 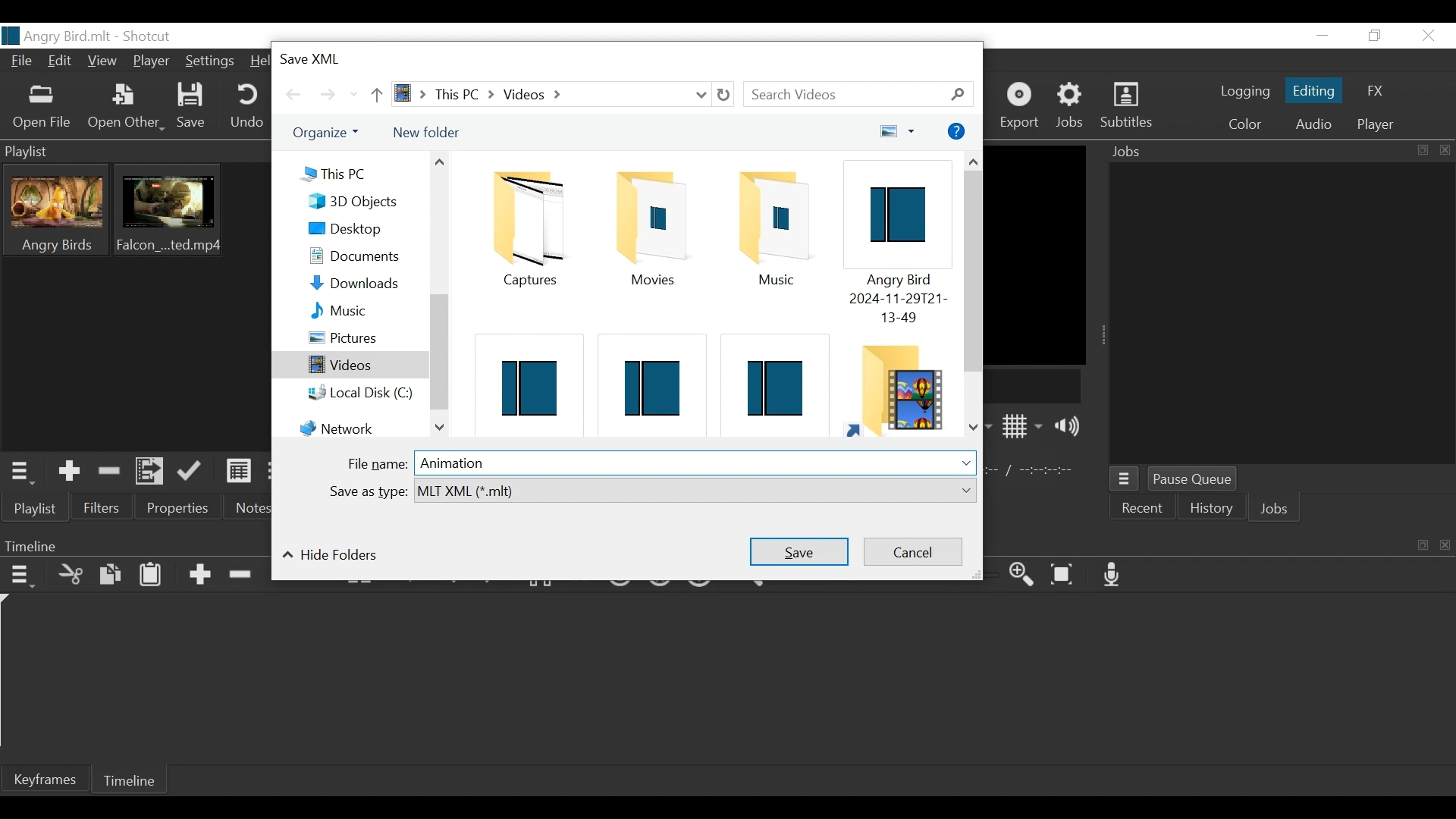 What do you see at coordinates (799, 550) in the screenshot?
I see `Save` at bounding box center [799, 550].